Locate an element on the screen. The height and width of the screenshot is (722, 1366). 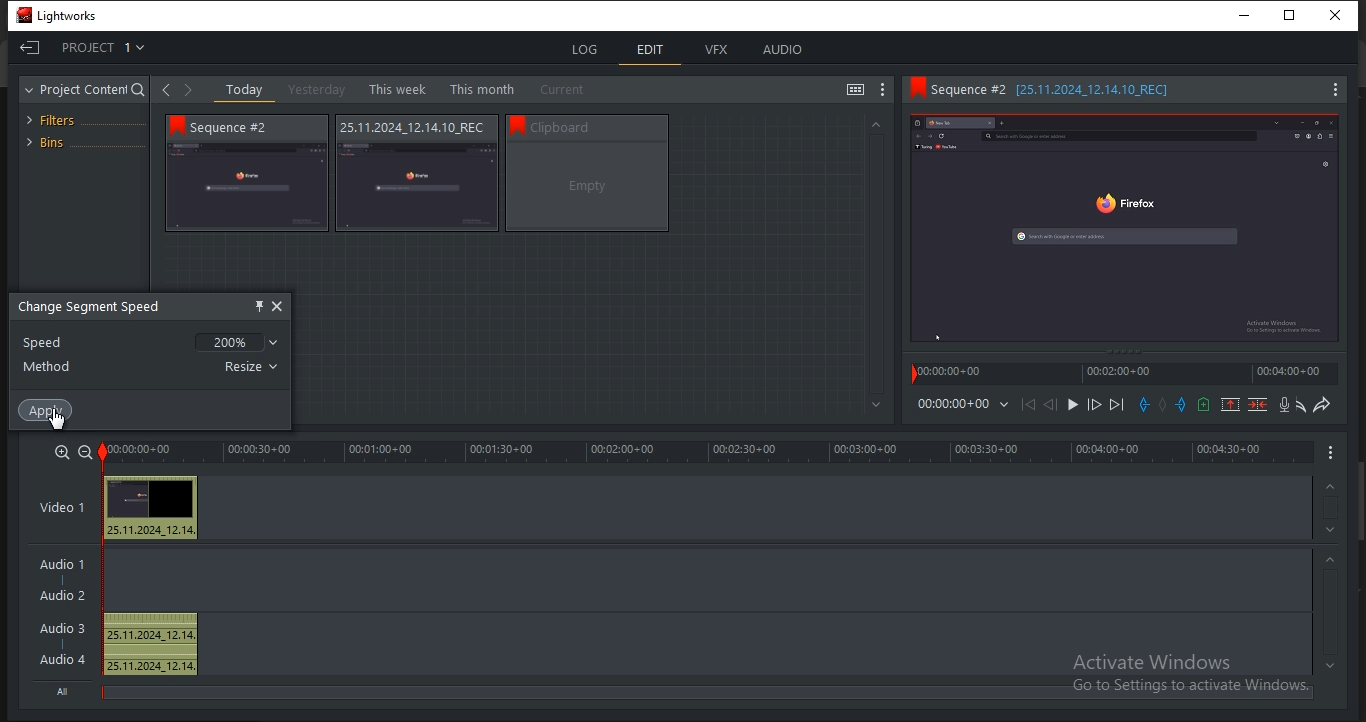
time stamp is located at coordinates (1117, 375).